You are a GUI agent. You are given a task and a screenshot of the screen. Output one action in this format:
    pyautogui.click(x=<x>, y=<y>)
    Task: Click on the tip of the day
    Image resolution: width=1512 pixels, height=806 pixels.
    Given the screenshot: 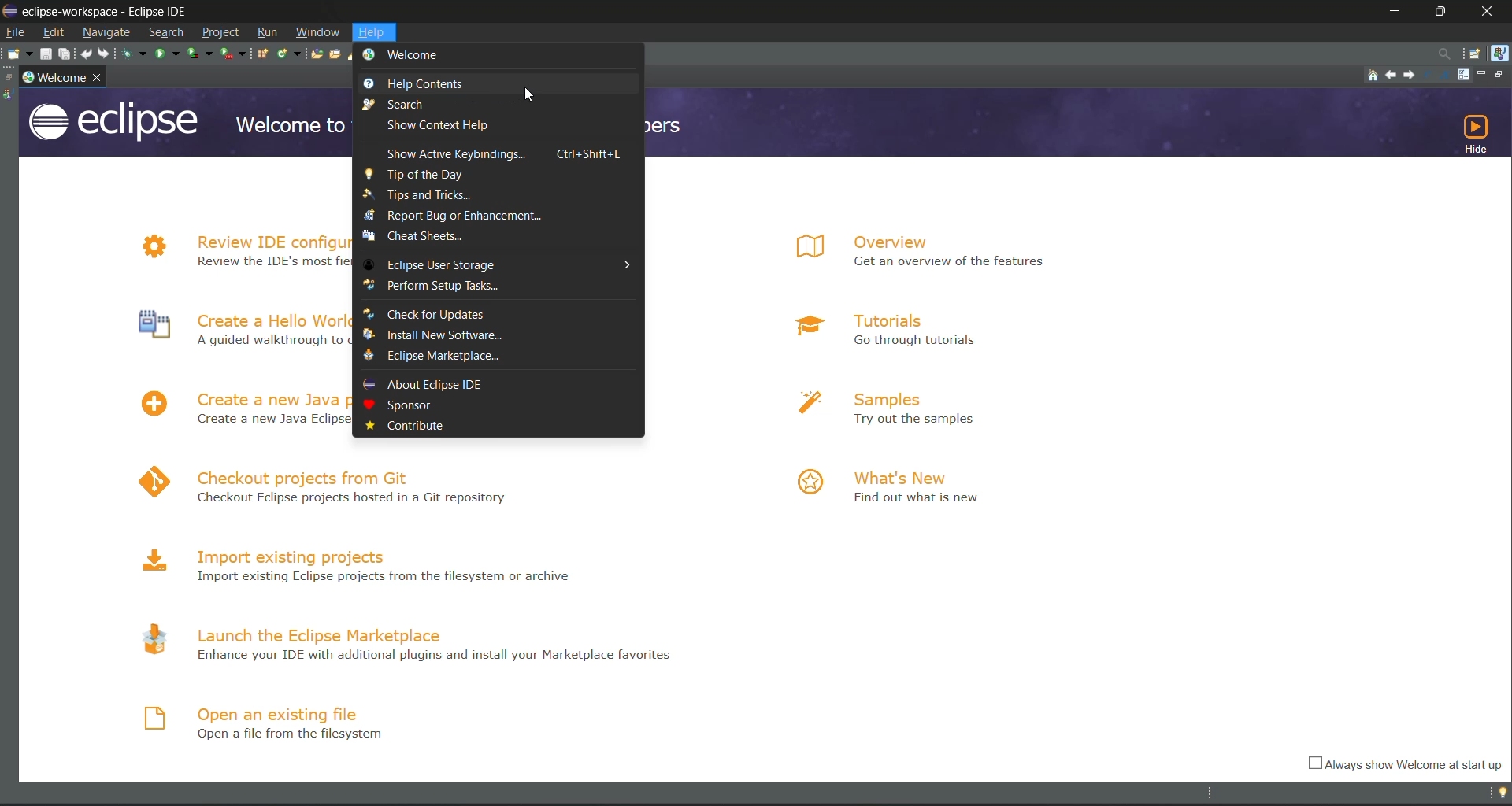 What is the action you would take?
    pyautogui.click(x=424, y=176)
    